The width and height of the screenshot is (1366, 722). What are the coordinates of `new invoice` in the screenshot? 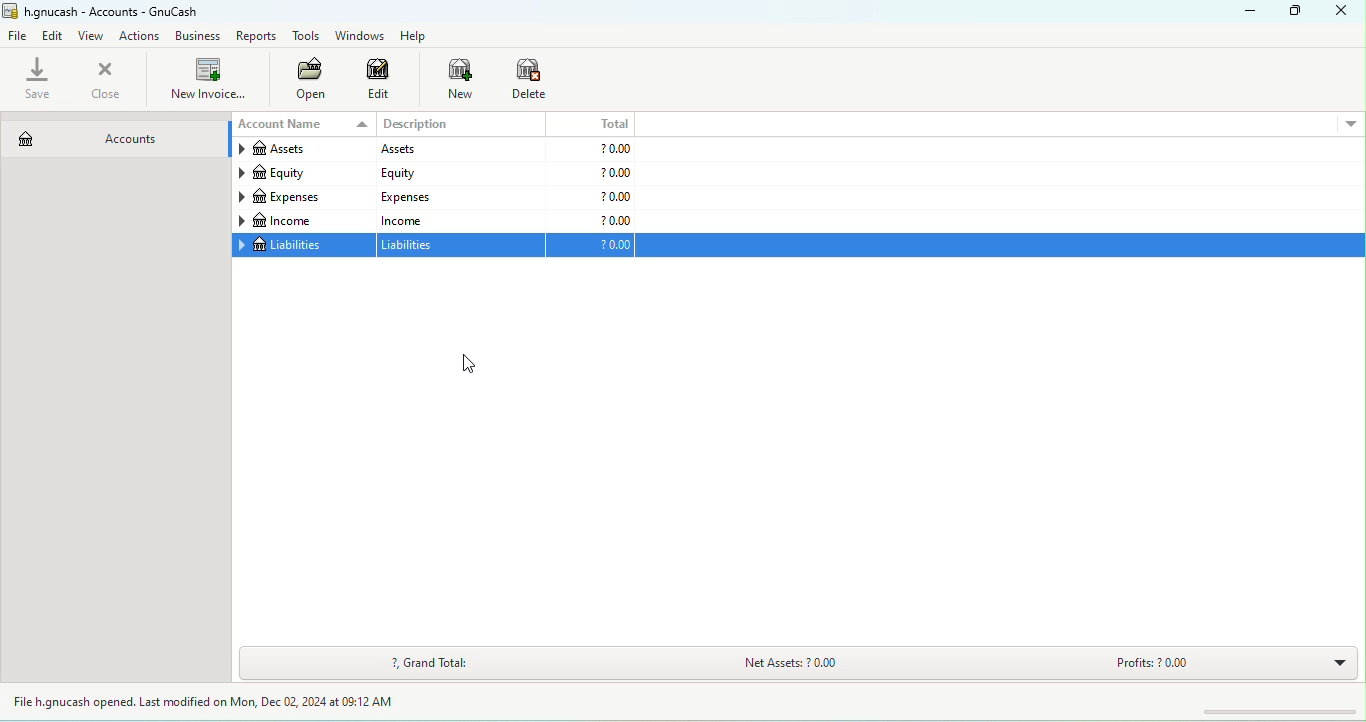 It's located at (206, 81).